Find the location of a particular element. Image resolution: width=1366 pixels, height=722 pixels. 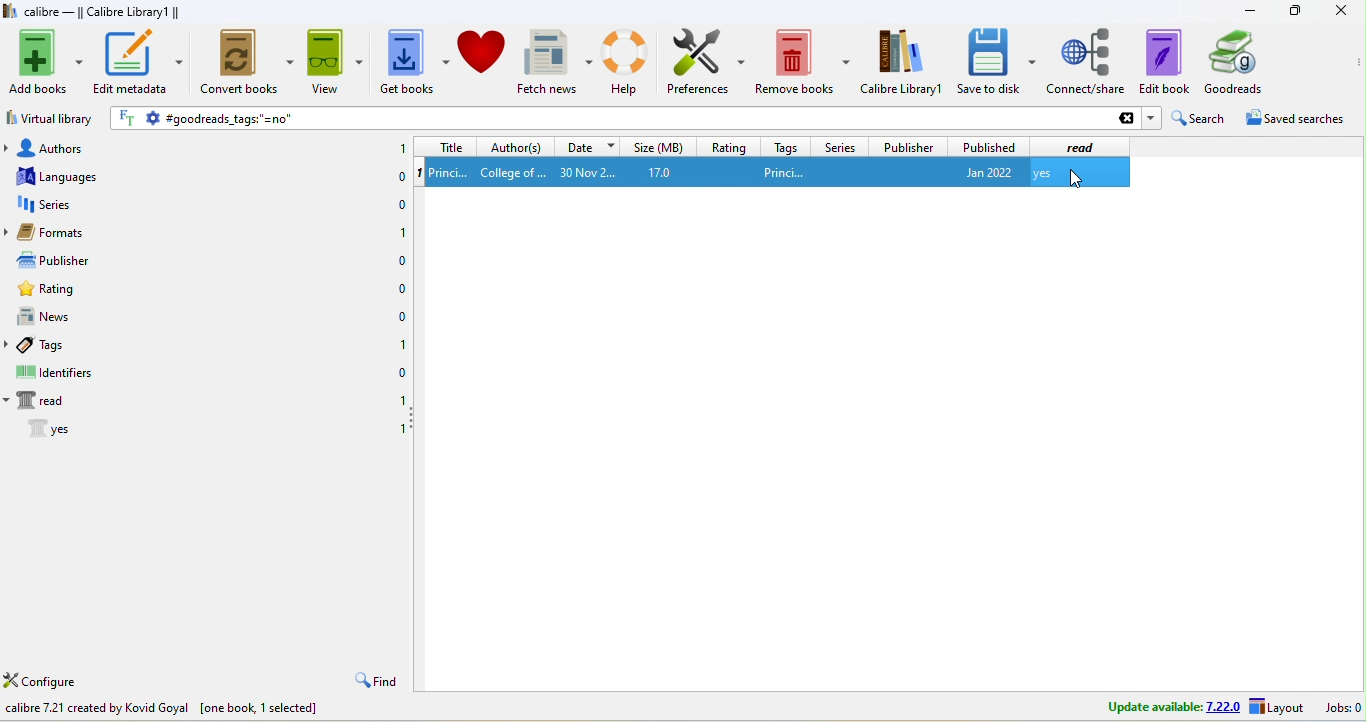

convert books is located at coordinates (248, 63).